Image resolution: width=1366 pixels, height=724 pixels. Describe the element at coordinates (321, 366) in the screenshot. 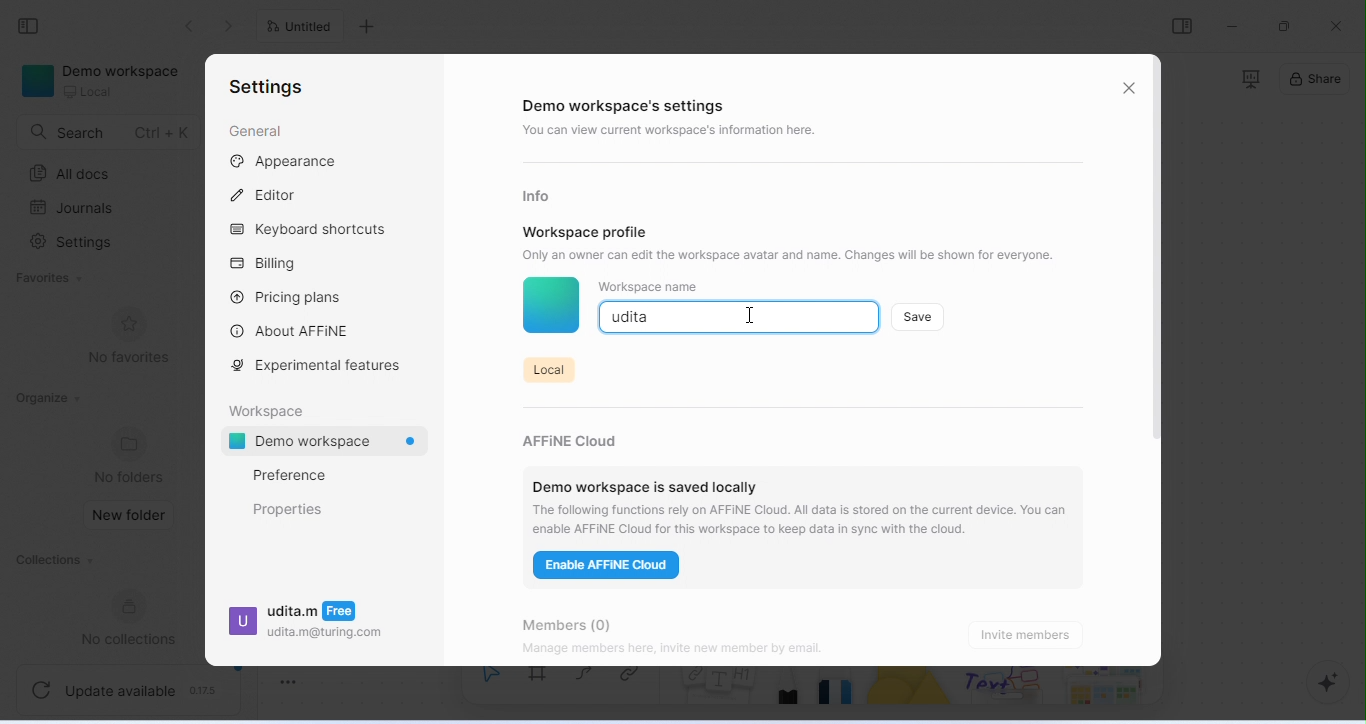

I see `experimental features` at that location.